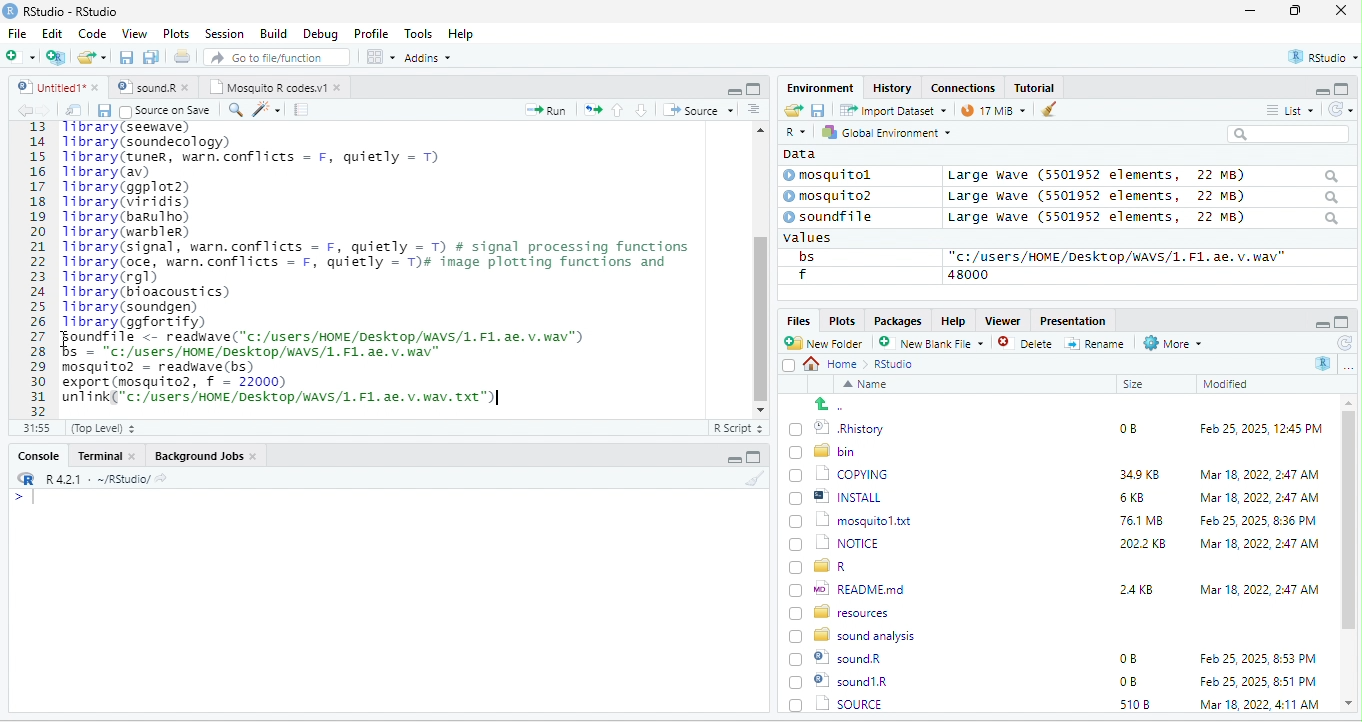  I want to click on 1302 KB, so click(1145, 704).